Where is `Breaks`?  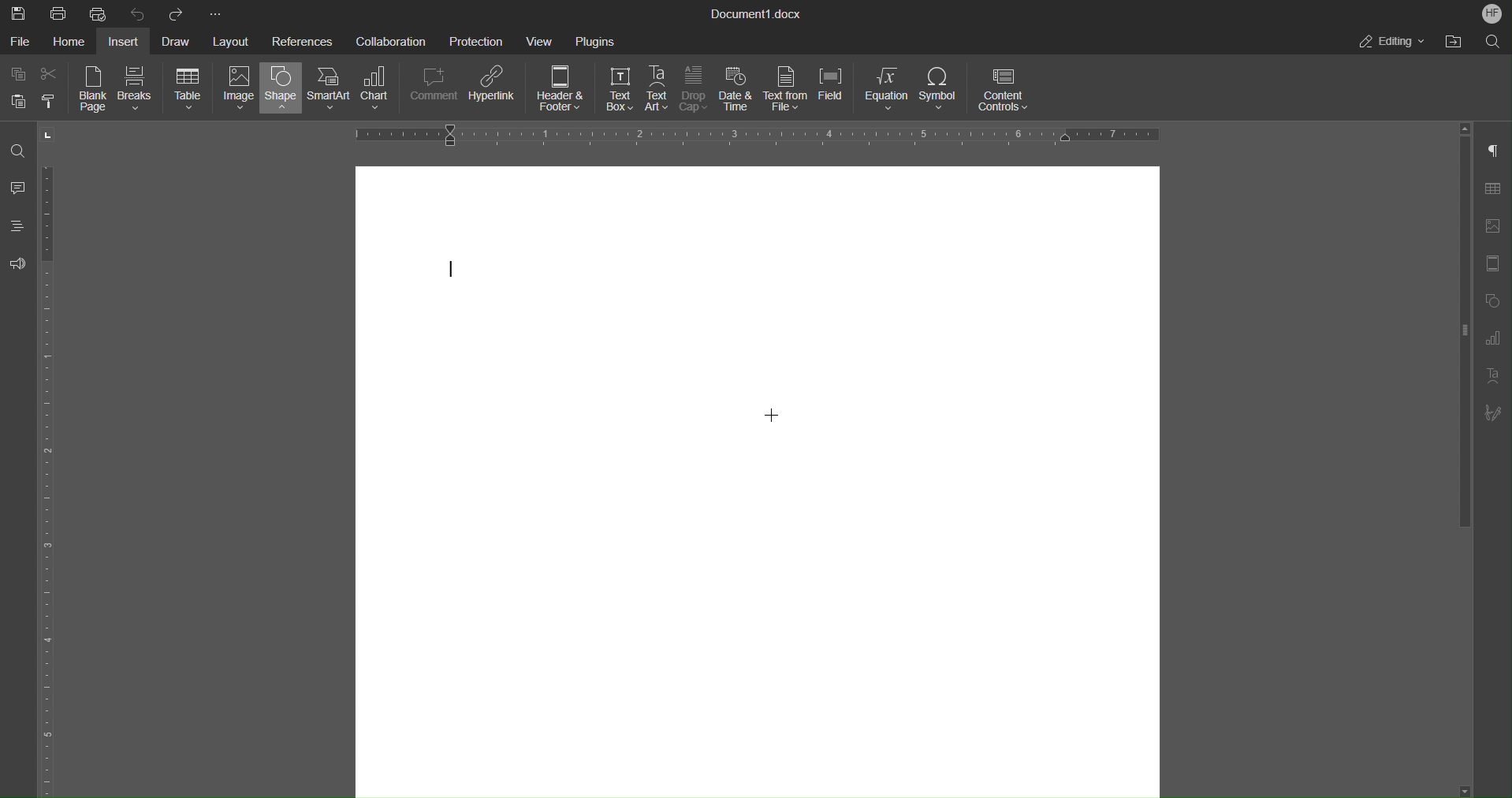
Breaks is located at coordinates (137, 91).